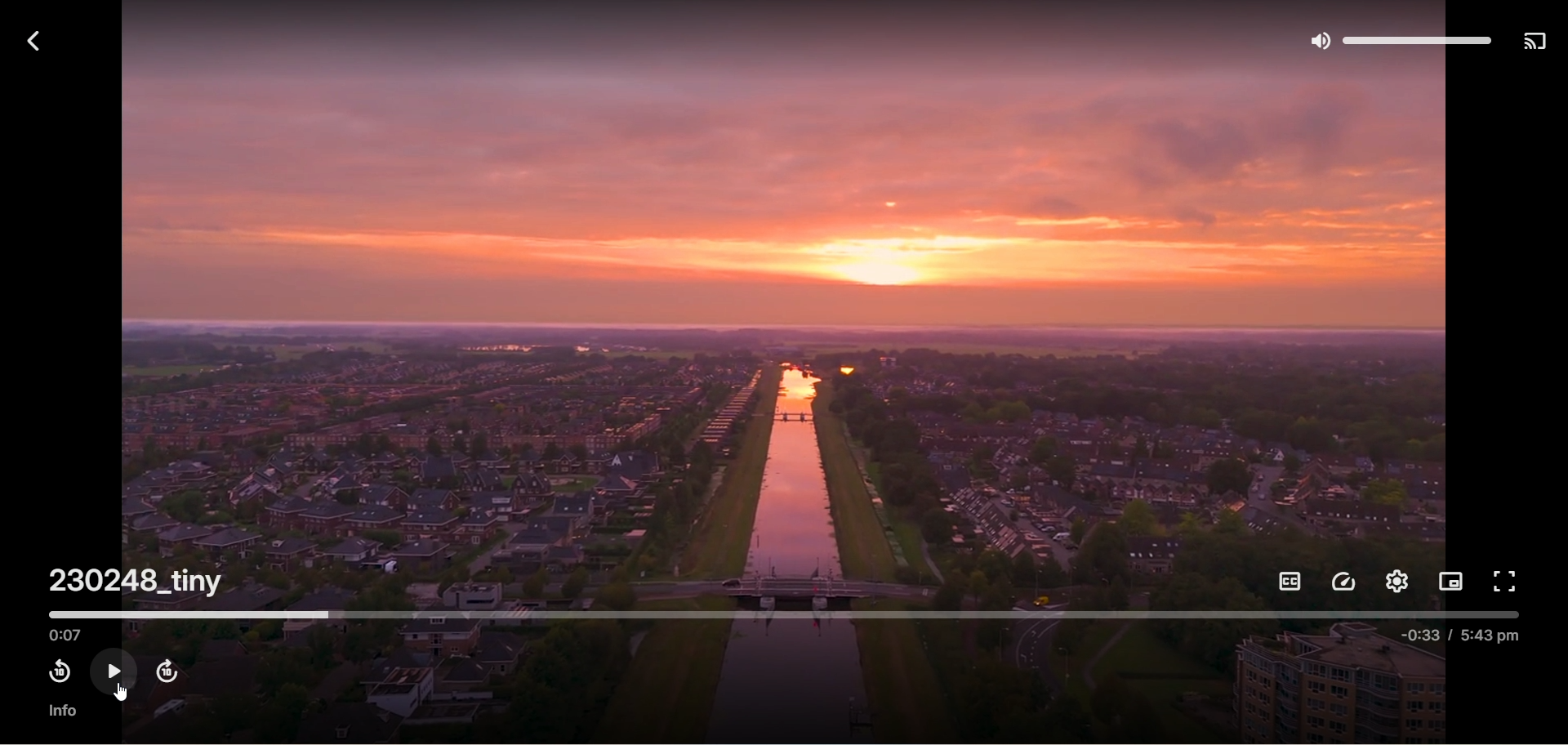  I want to click on 230248_tiny, so click(138, 580).